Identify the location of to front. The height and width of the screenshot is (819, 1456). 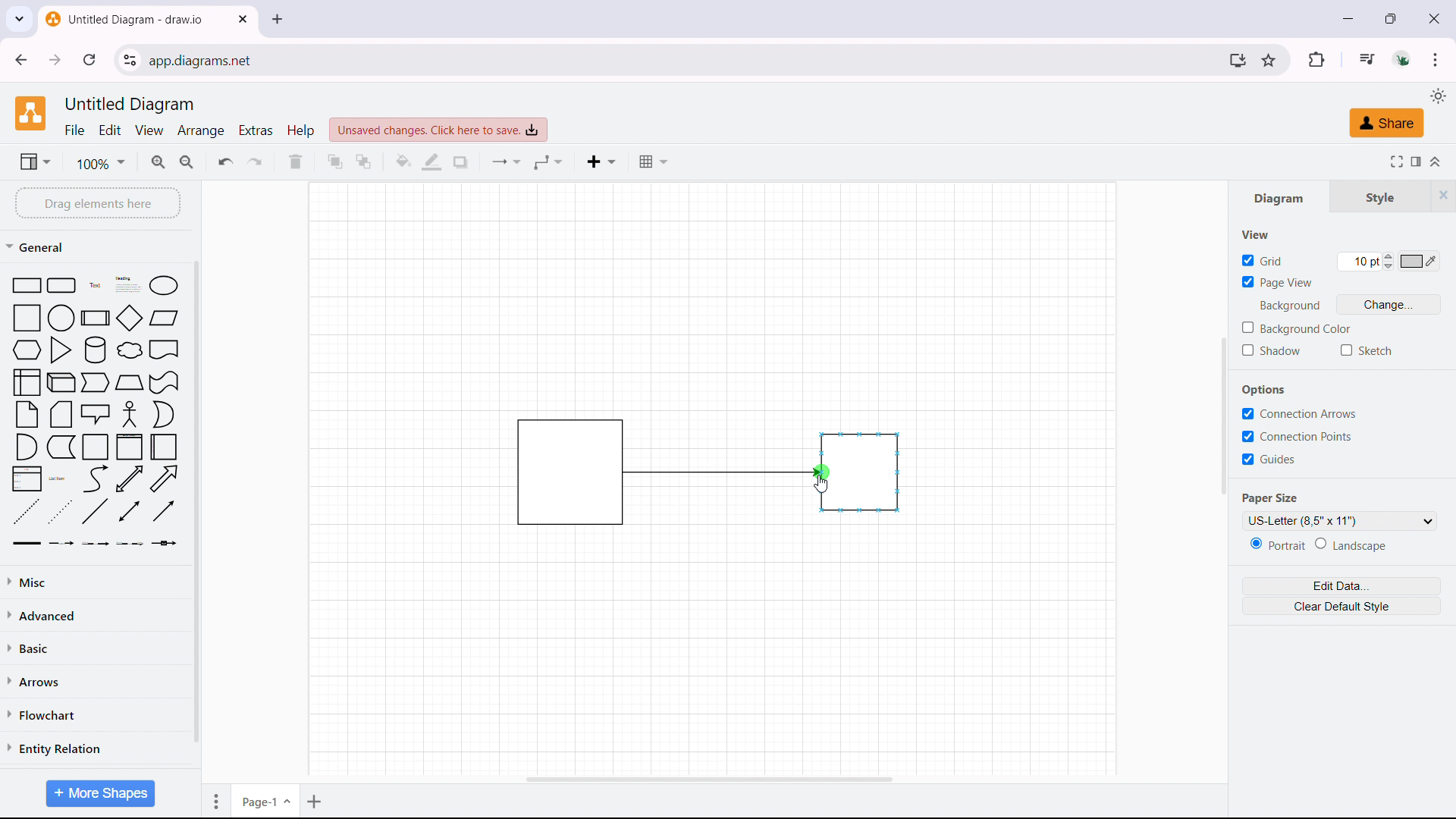
(334, 161).